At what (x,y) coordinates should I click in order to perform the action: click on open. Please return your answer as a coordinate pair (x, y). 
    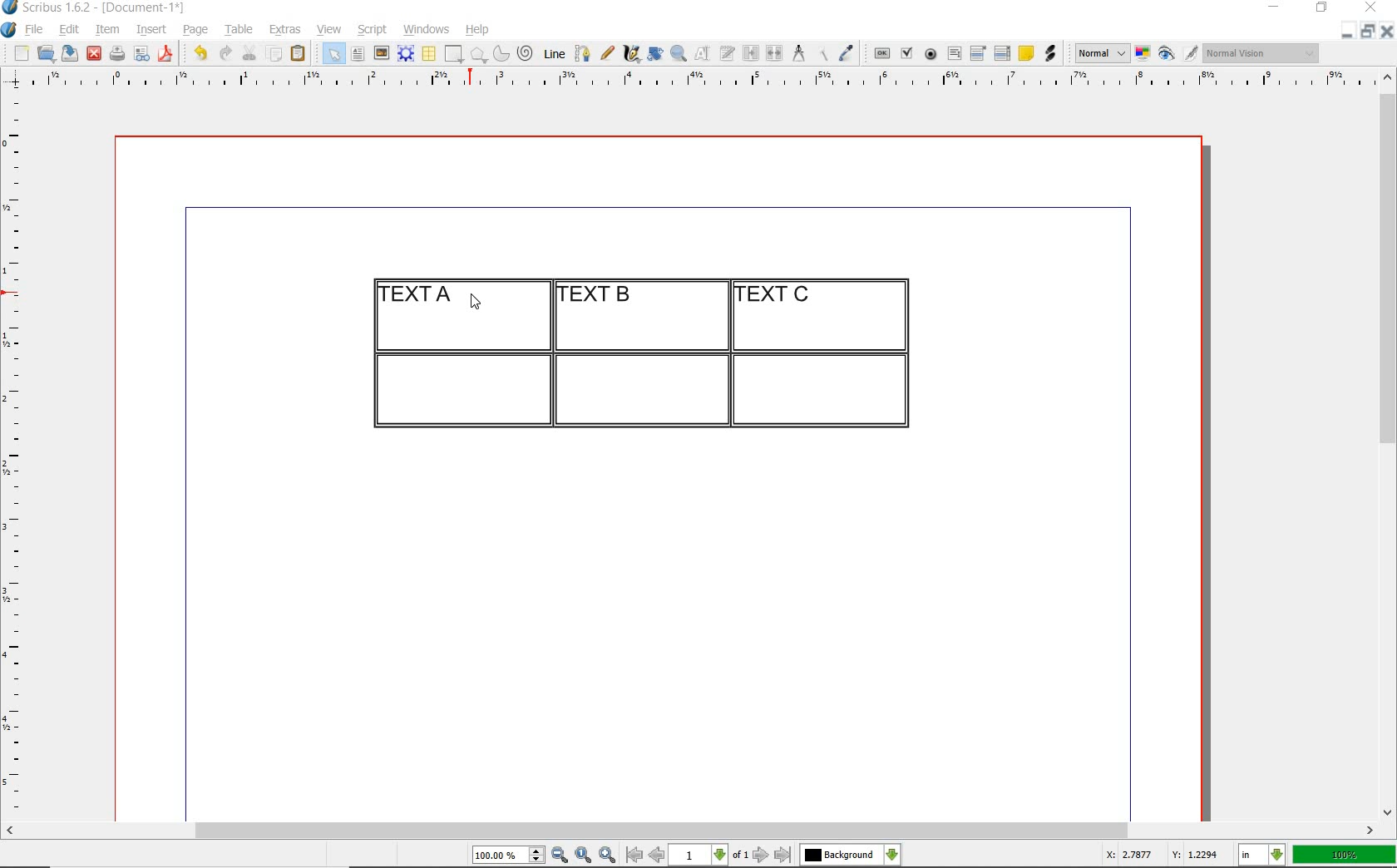
    Looking at the image, I should click on (45, 52).